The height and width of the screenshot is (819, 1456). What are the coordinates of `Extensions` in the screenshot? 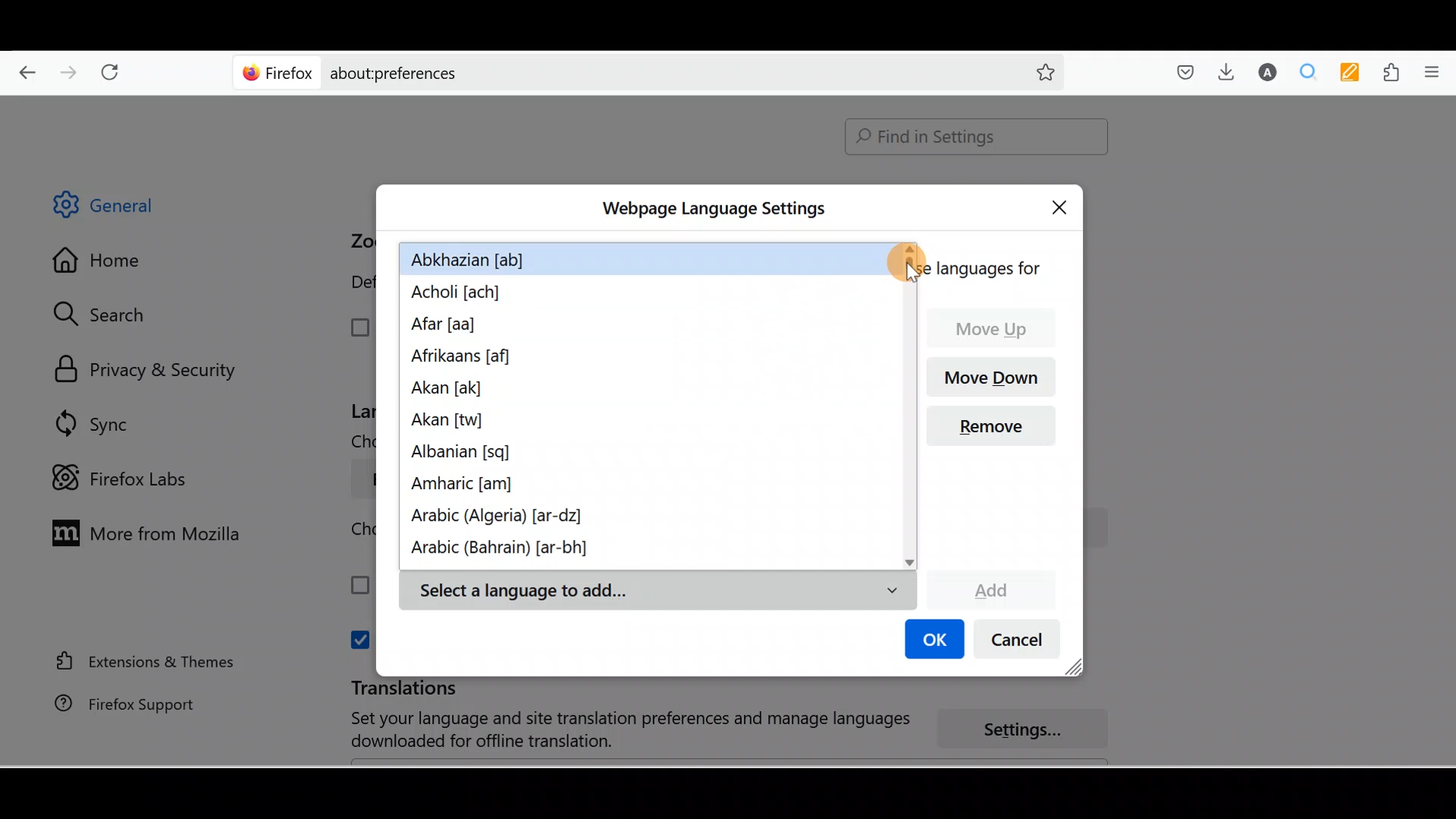 It's located at (1395, 73).